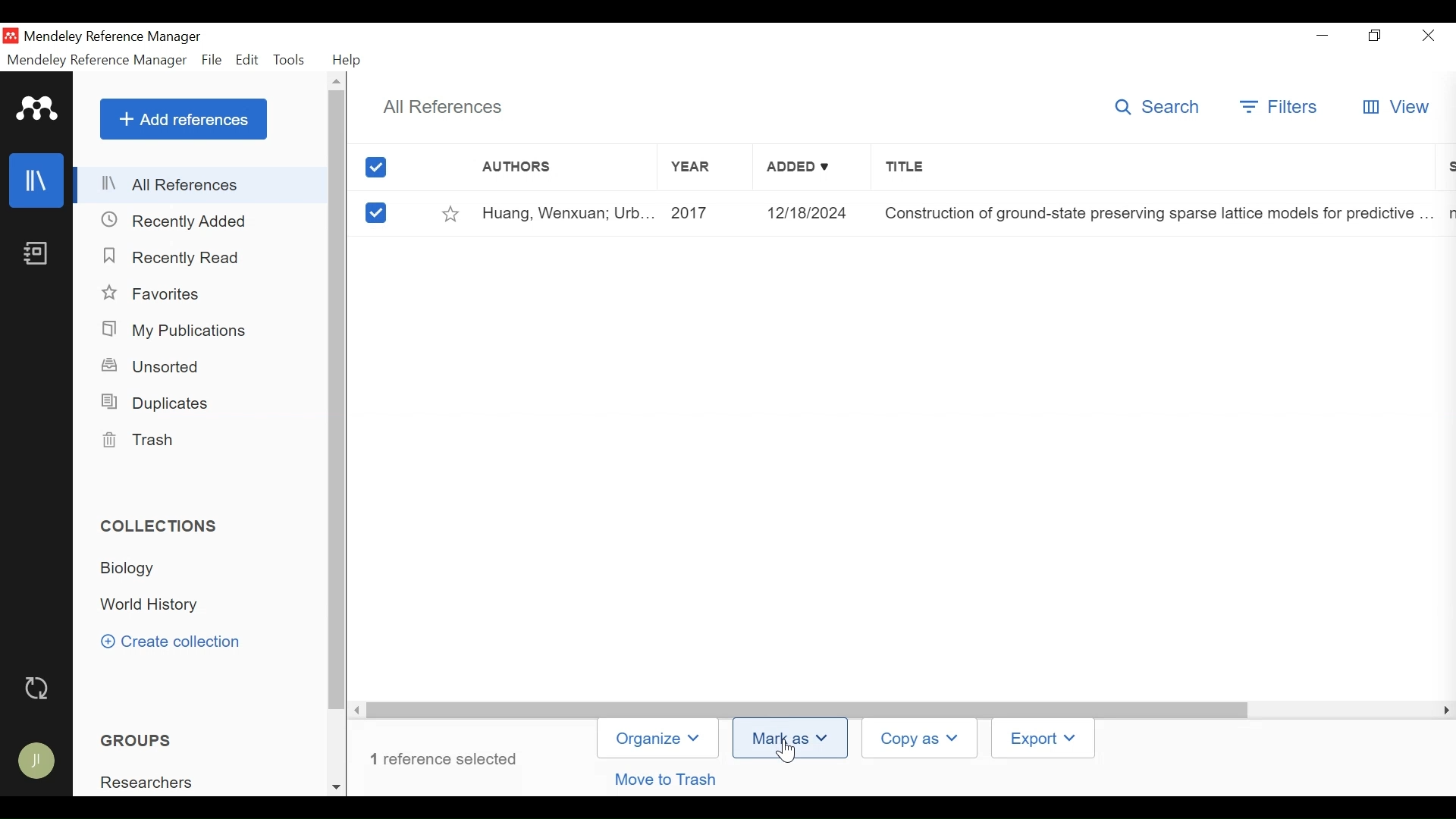 Image resolution: width=1456 pixels, height=819 pixels. What do you see at coordinates (35, 181) in the screenshot?
I see `Library` at bounding box center [35, 181].